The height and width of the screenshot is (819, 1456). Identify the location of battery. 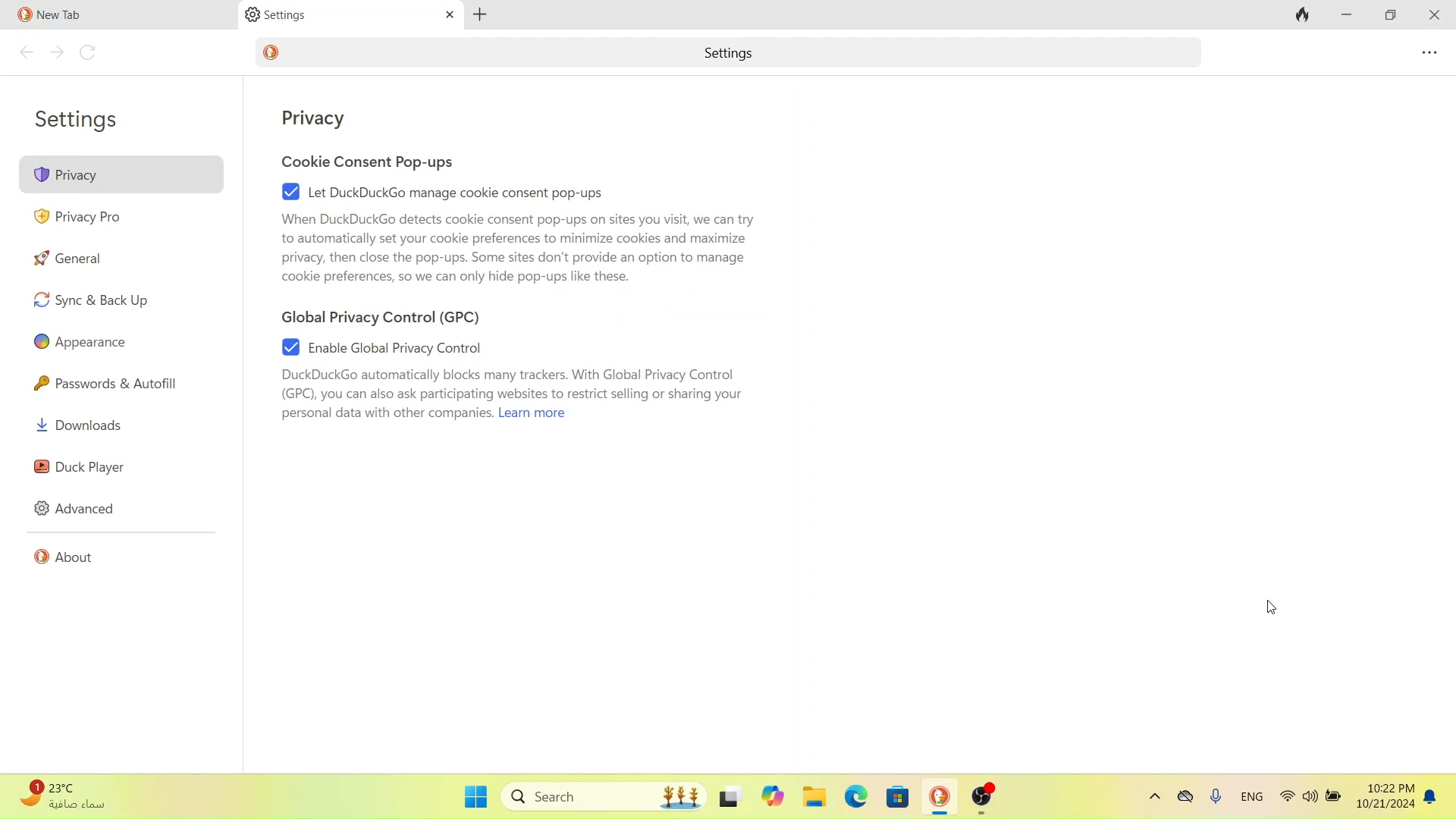
(1333, 801).